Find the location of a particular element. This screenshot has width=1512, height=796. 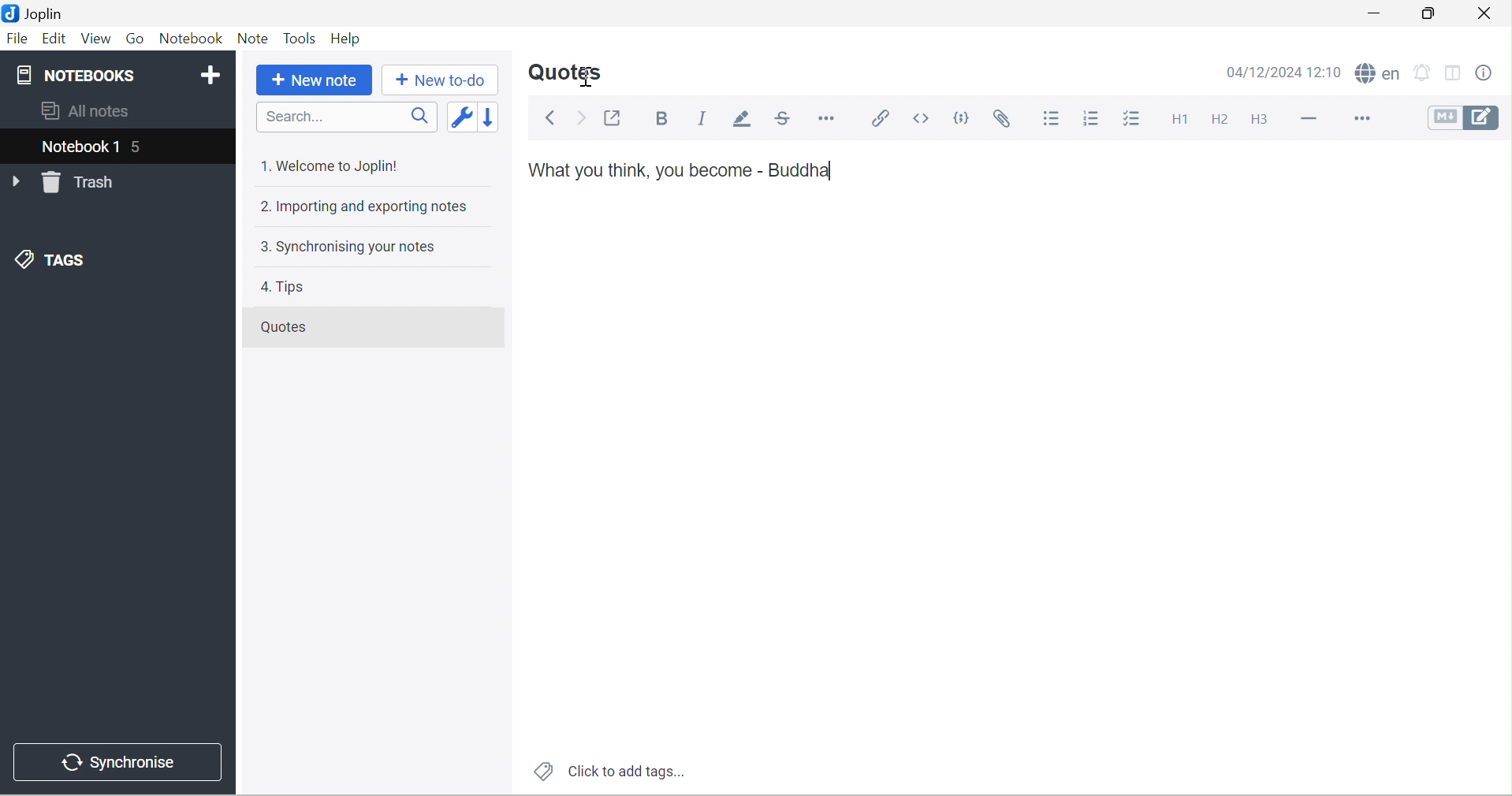

Search is located at coordinates (348, 118).